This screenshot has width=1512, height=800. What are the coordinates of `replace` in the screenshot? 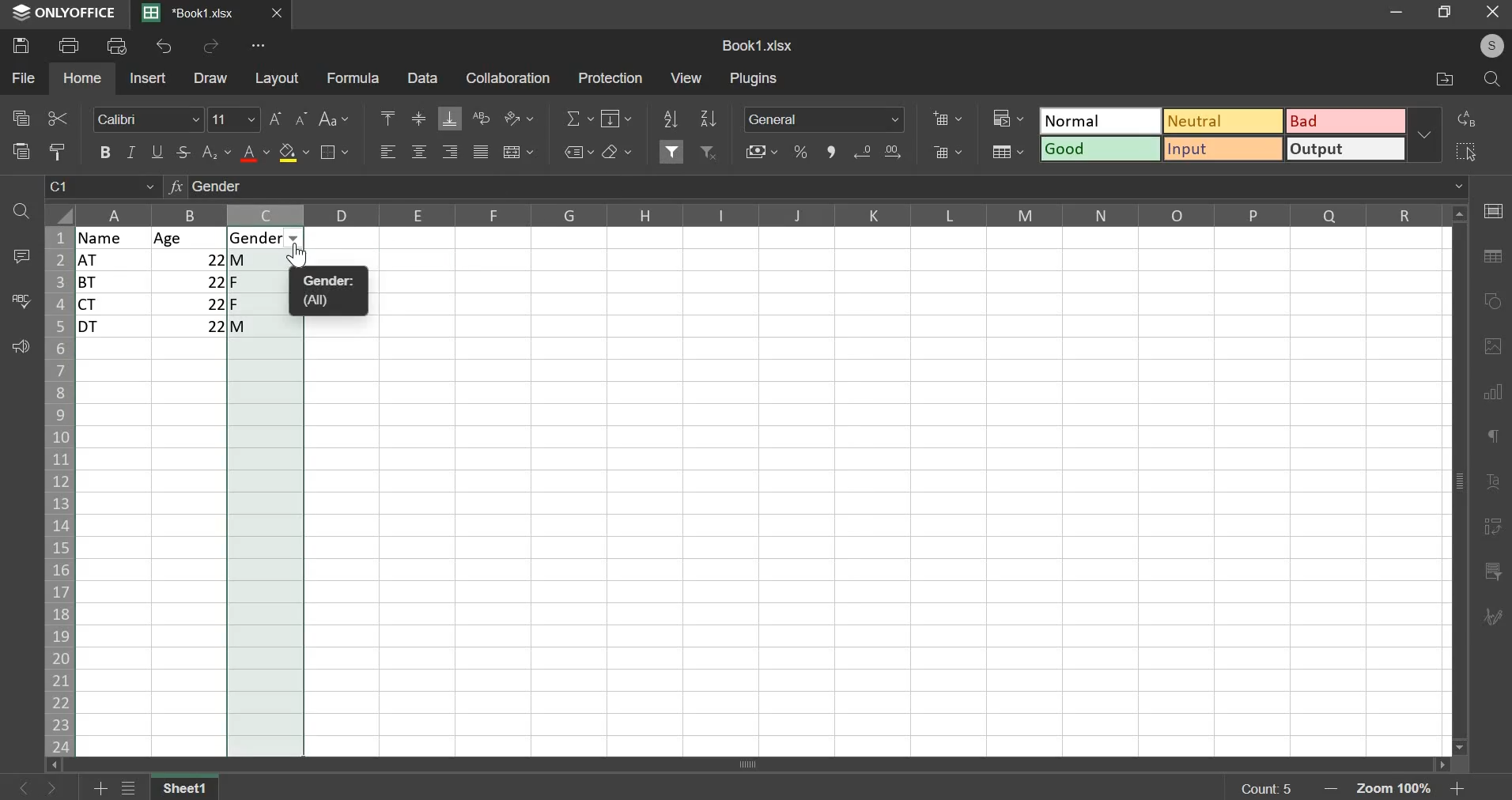 It's located at (1468, 119).